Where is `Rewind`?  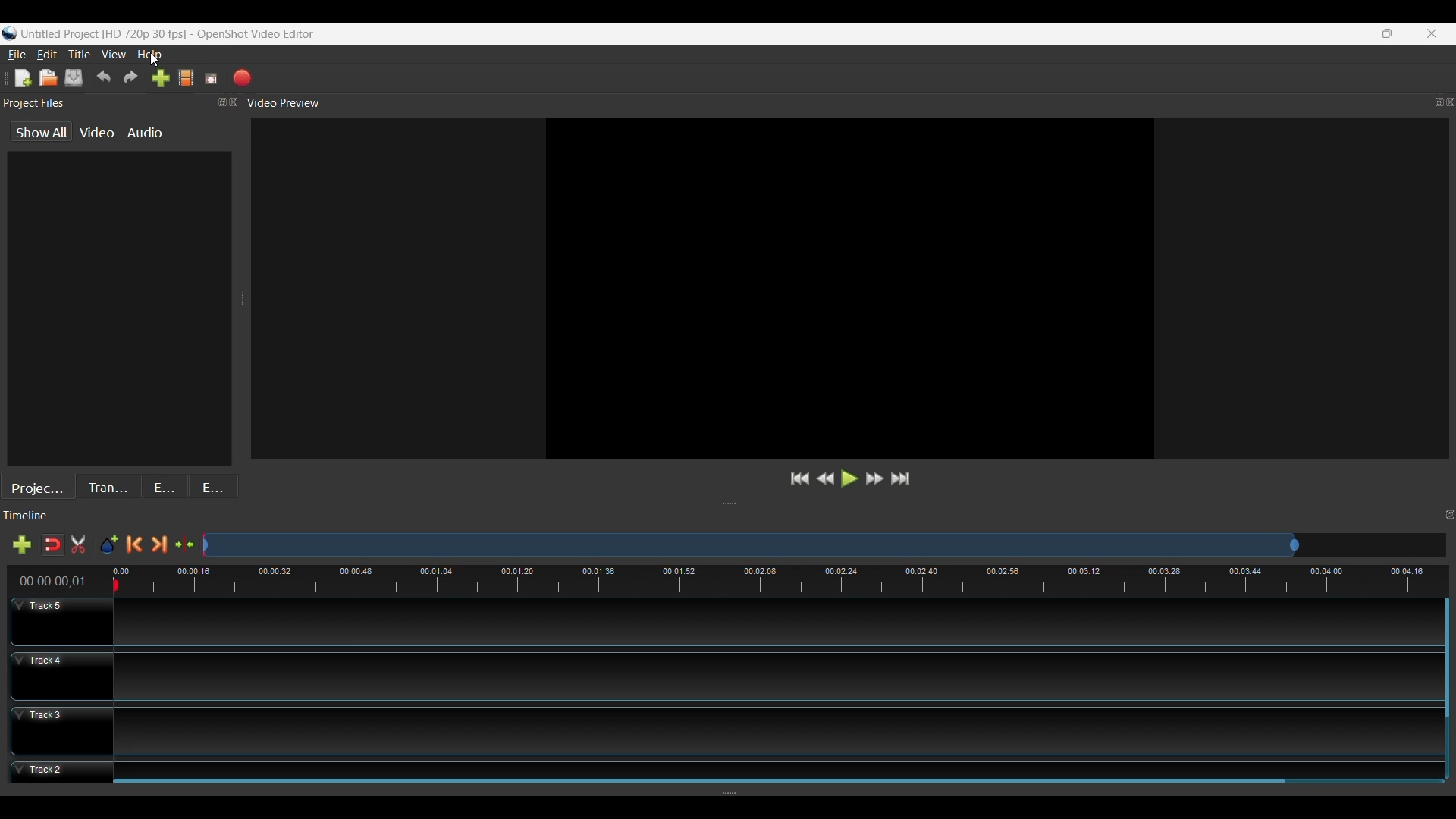 Rewind is located at coordinates (825, 479).